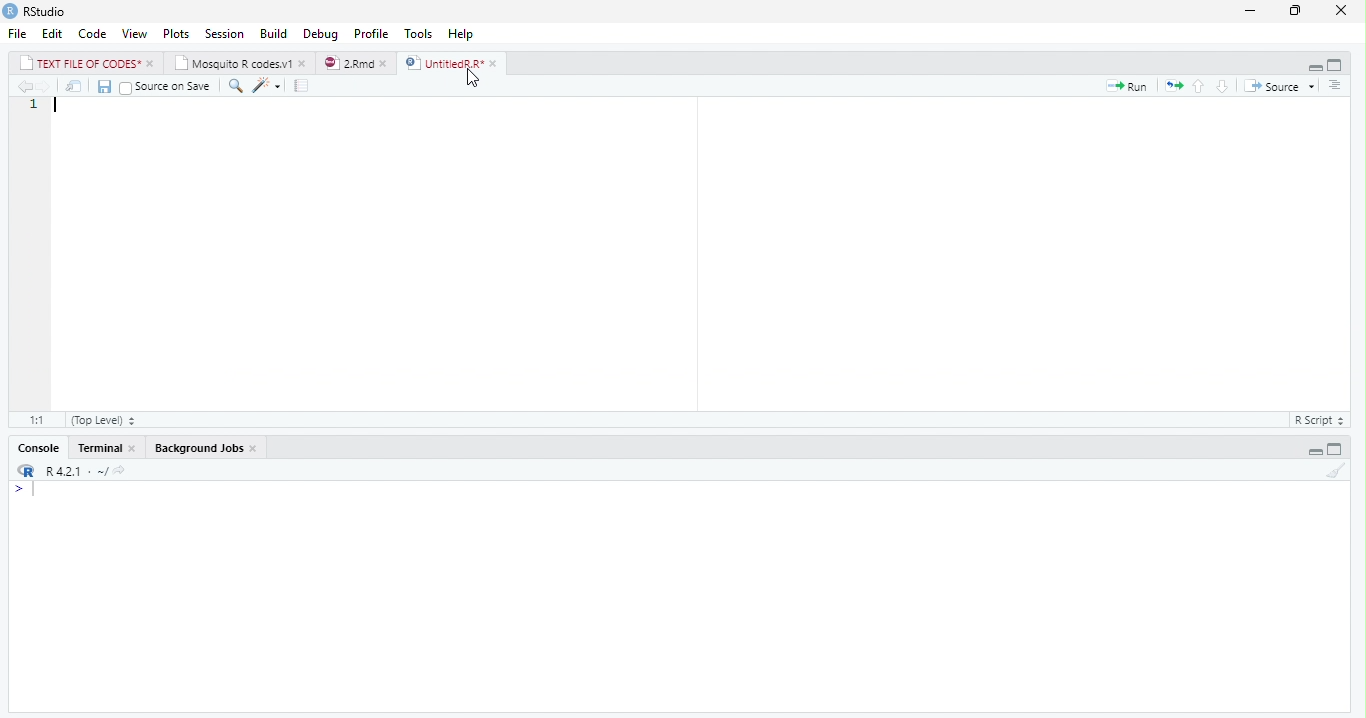 The width and height of the screenshot is (1366, 718). Describe the element at coordinates (1222, 87) in the screenshot. I see `next section` at that location.